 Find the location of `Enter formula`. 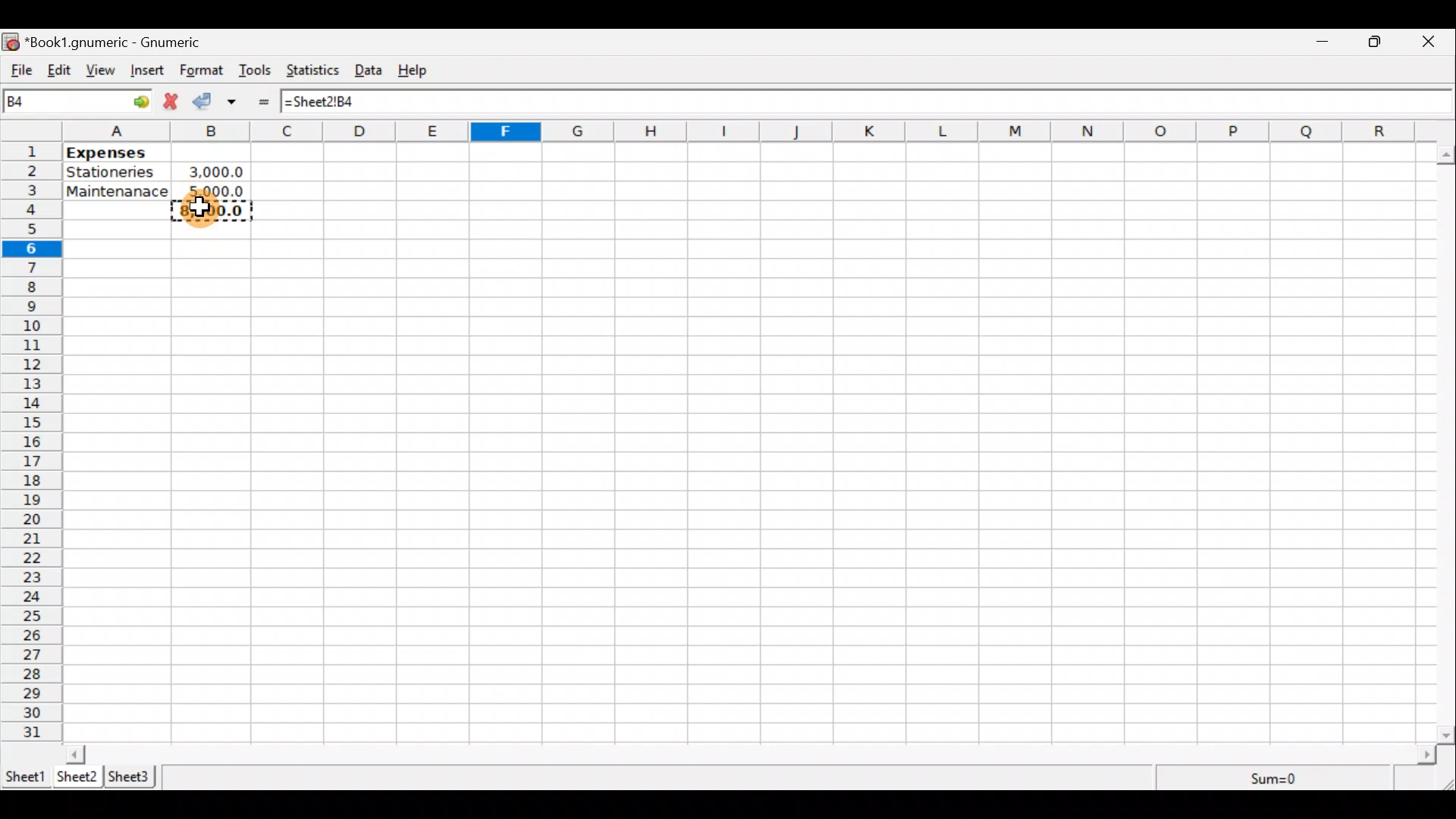

Enter formula is located at coordinates (267, 102).